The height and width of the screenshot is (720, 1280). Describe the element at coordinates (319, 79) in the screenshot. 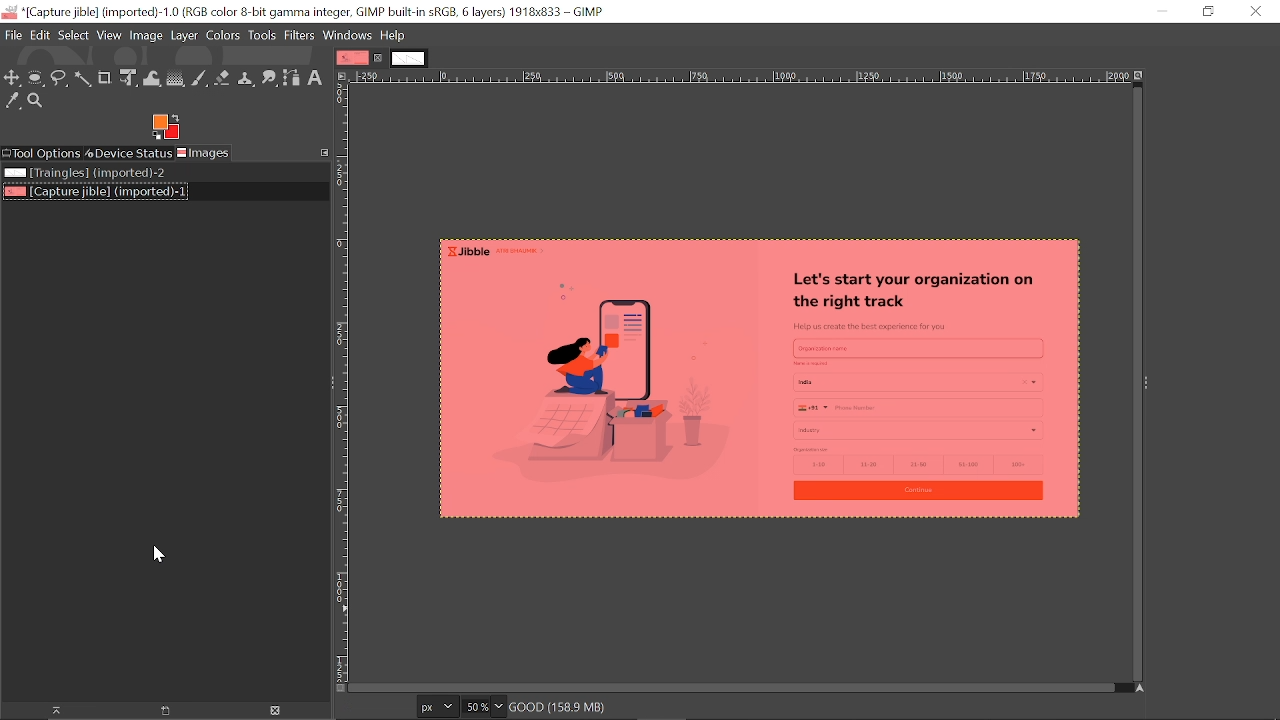

I see `Add text` at that location.